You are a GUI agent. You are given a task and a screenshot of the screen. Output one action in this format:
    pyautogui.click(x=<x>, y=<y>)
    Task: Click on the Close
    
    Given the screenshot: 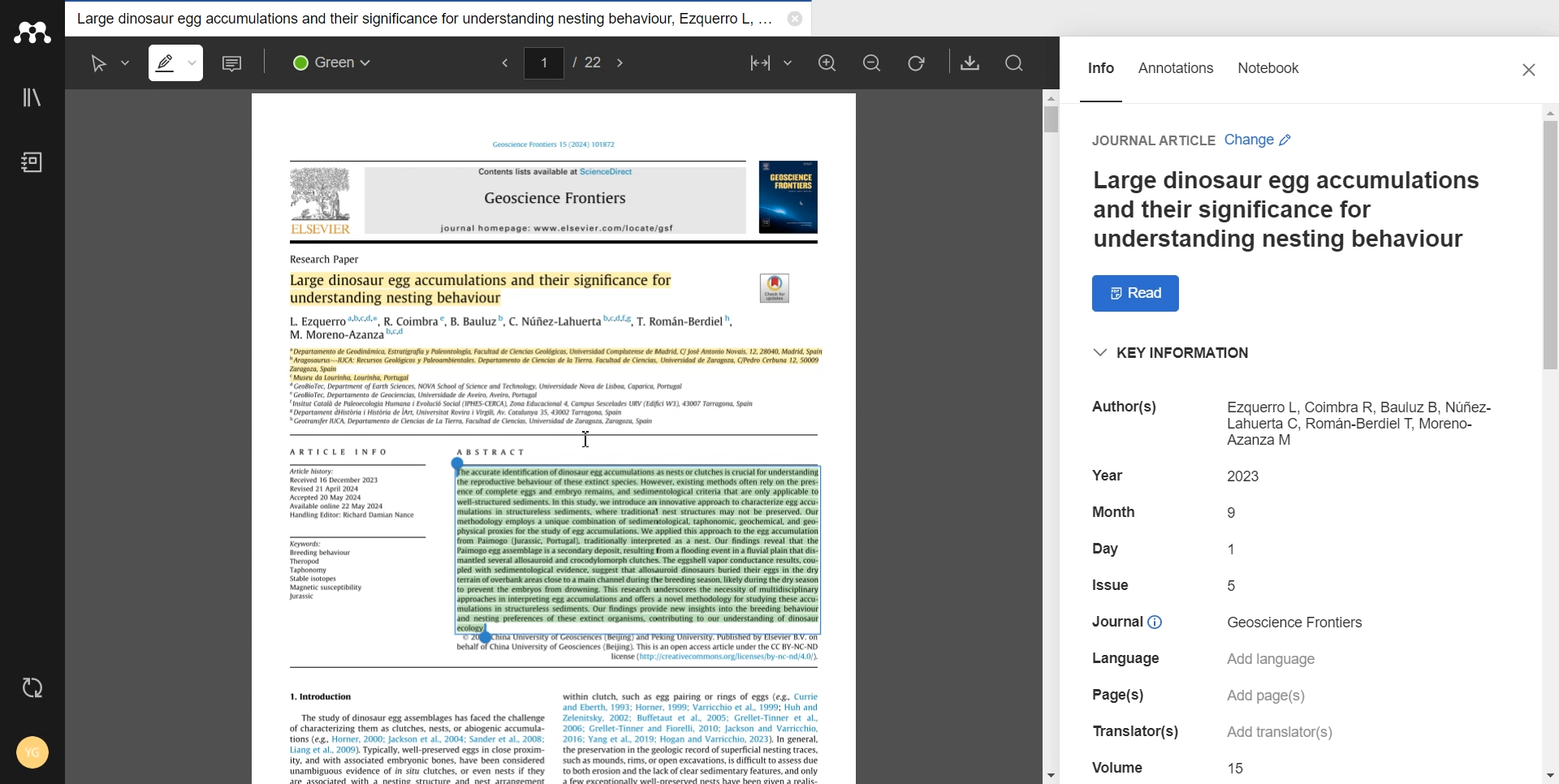 What is the action you would take?
    pyautogui.click(x=1531, y=71)
    